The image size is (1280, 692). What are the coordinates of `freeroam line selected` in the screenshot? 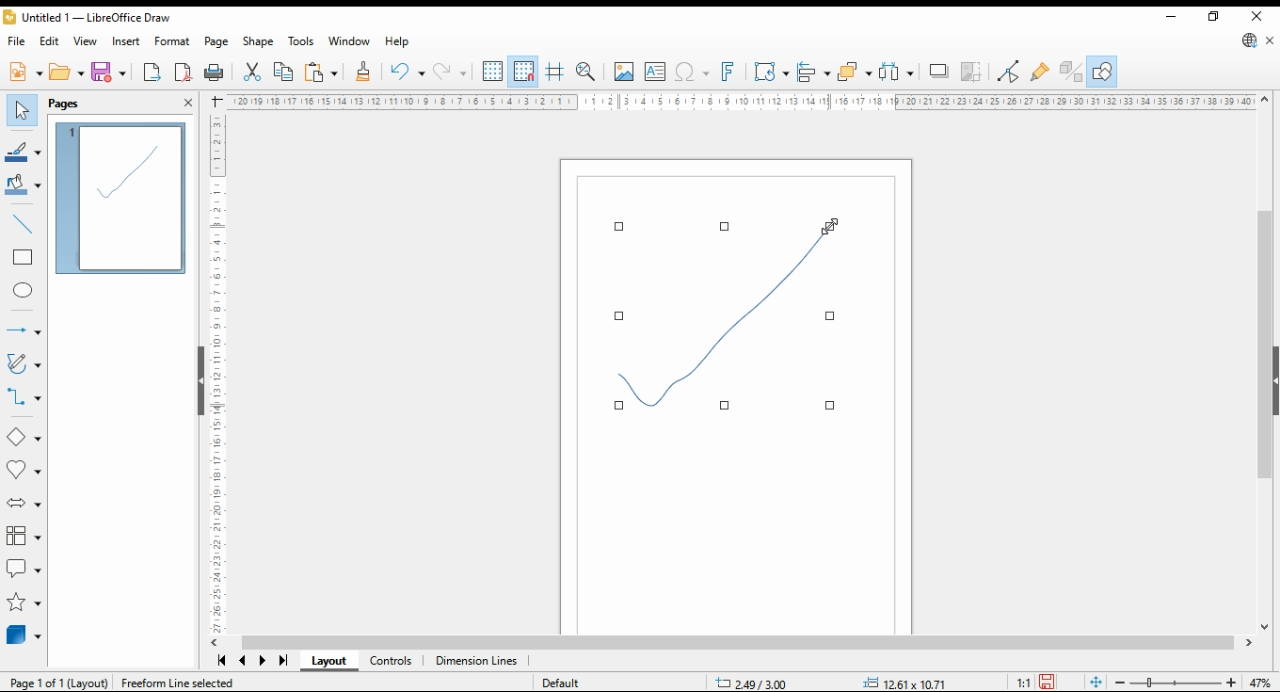 It's located at (179, 684).